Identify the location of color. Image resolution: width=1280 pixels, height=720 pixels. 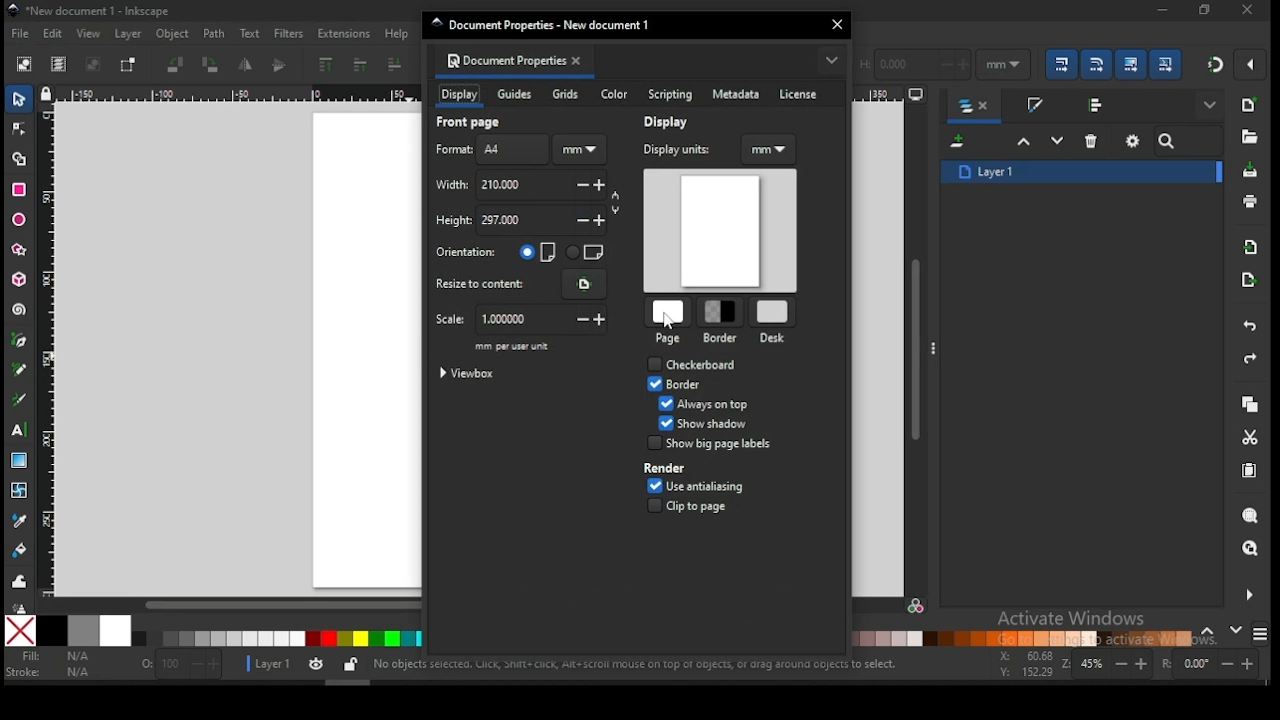
(614, 95).